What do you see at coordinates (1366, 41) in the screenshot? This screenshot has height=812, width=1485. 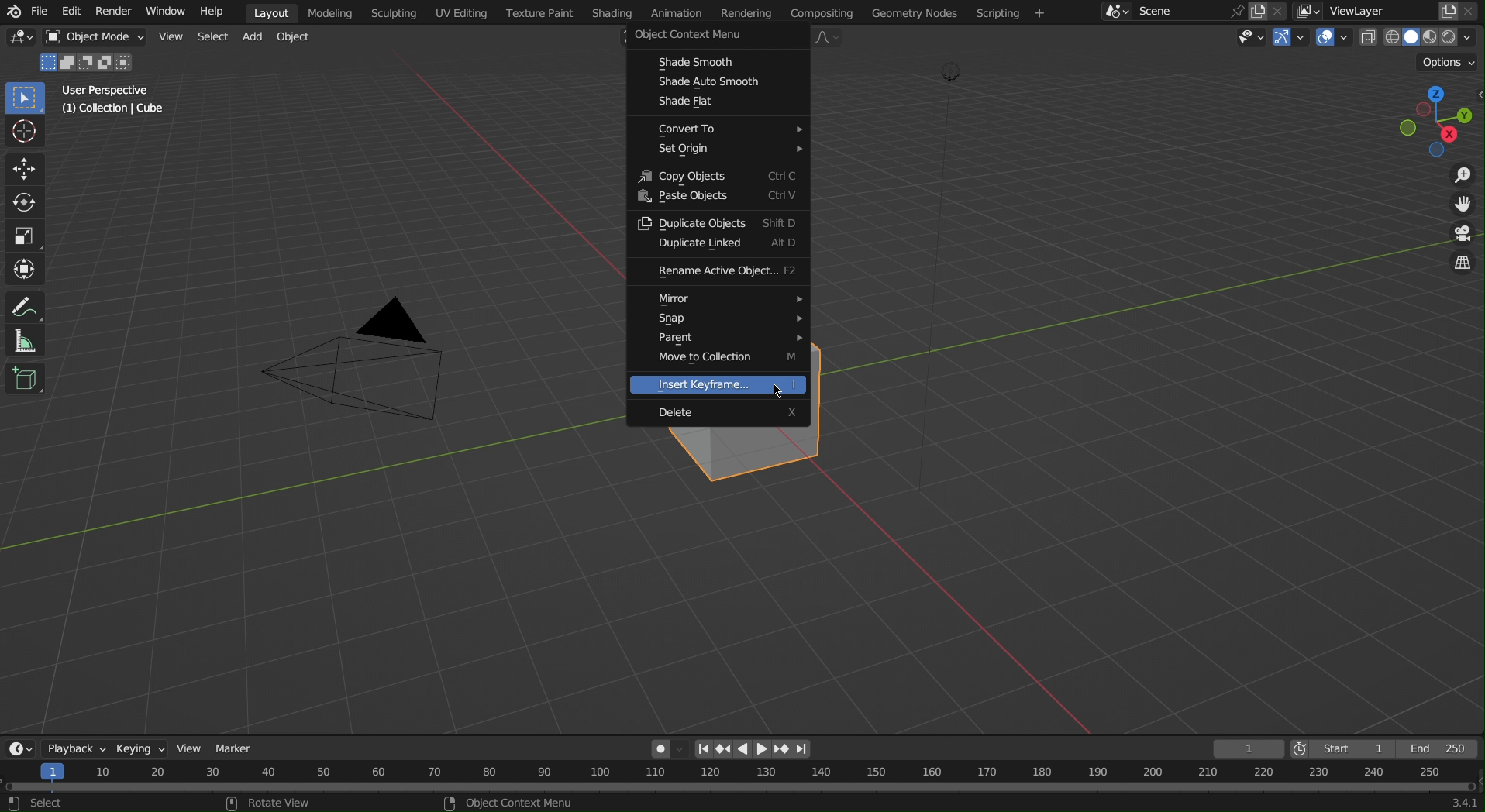 I see `Toggle X-Ray` at bounding box center [1366, 41].